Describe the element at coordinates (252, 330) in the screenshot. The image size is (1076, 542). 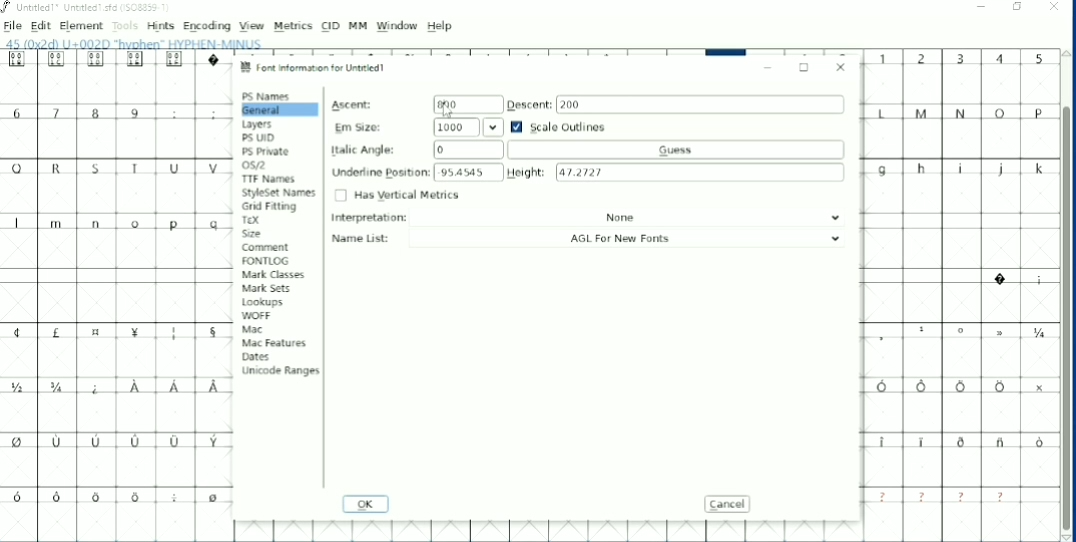
I see `Mac` at that location.